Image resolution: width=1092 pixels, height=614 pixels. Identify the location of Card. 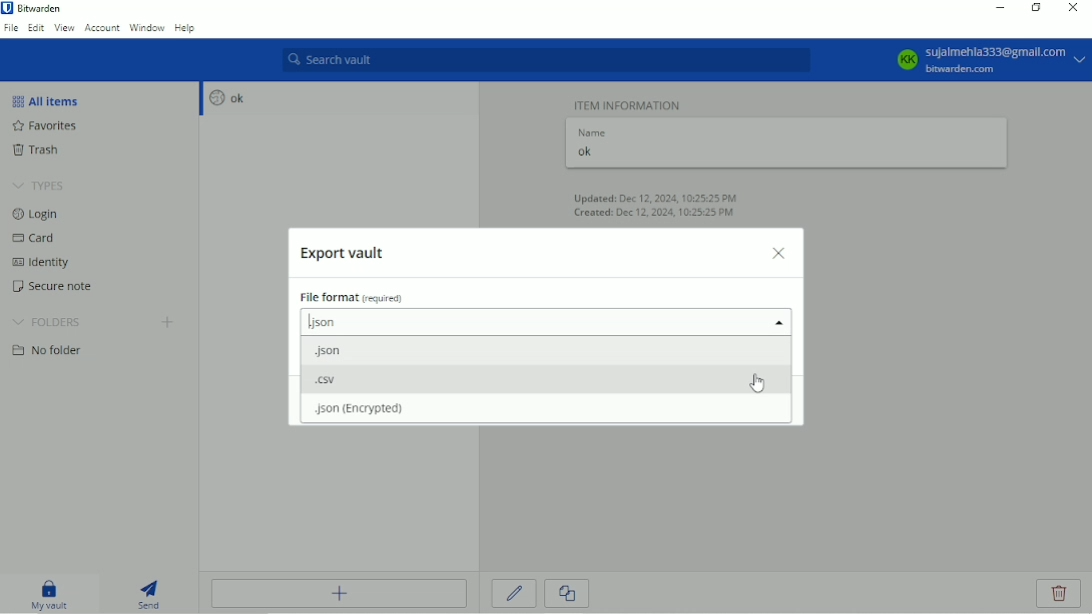
(38, 240).